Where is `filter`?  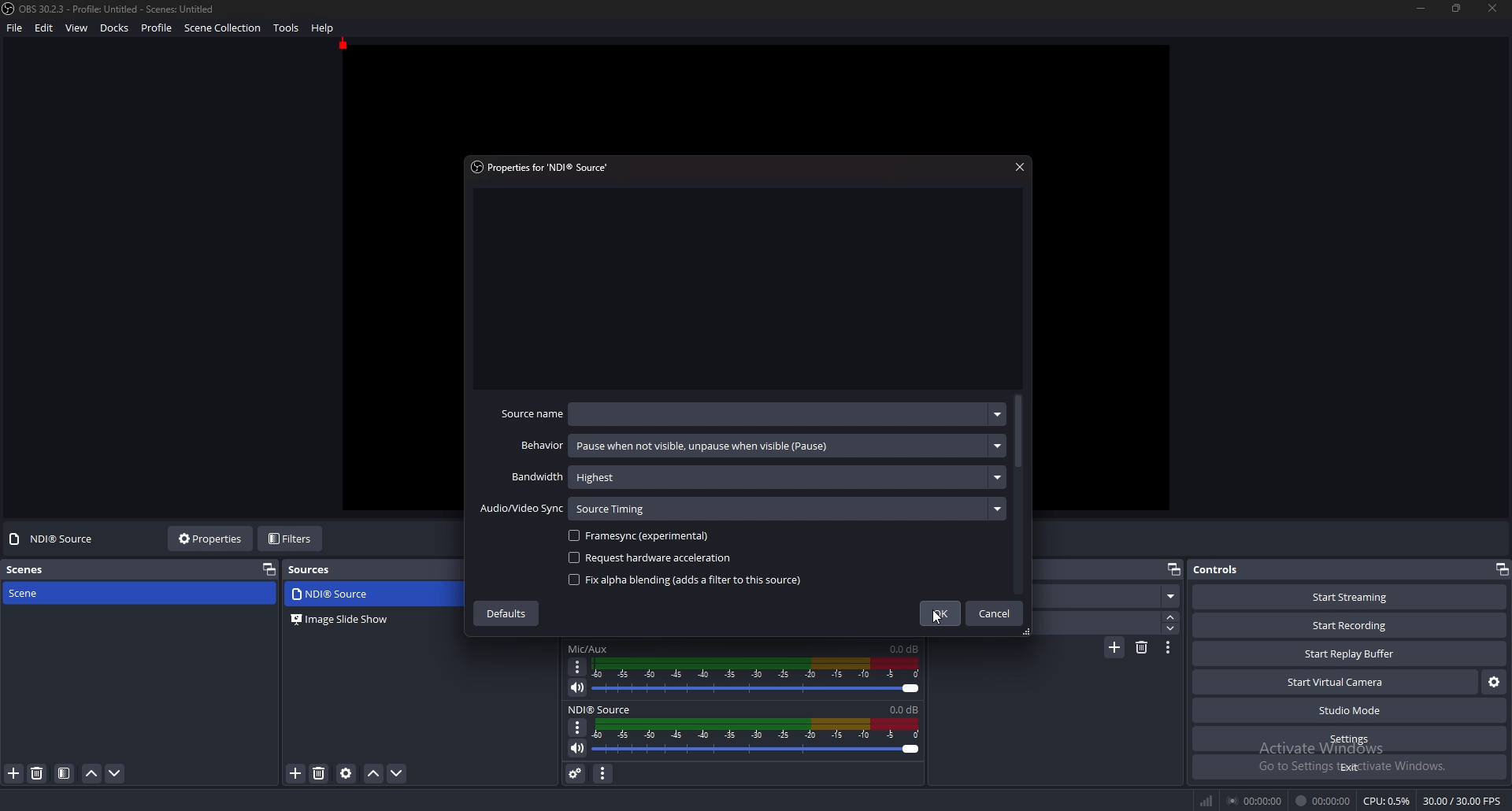 filter is located at coordinates (63, 773).